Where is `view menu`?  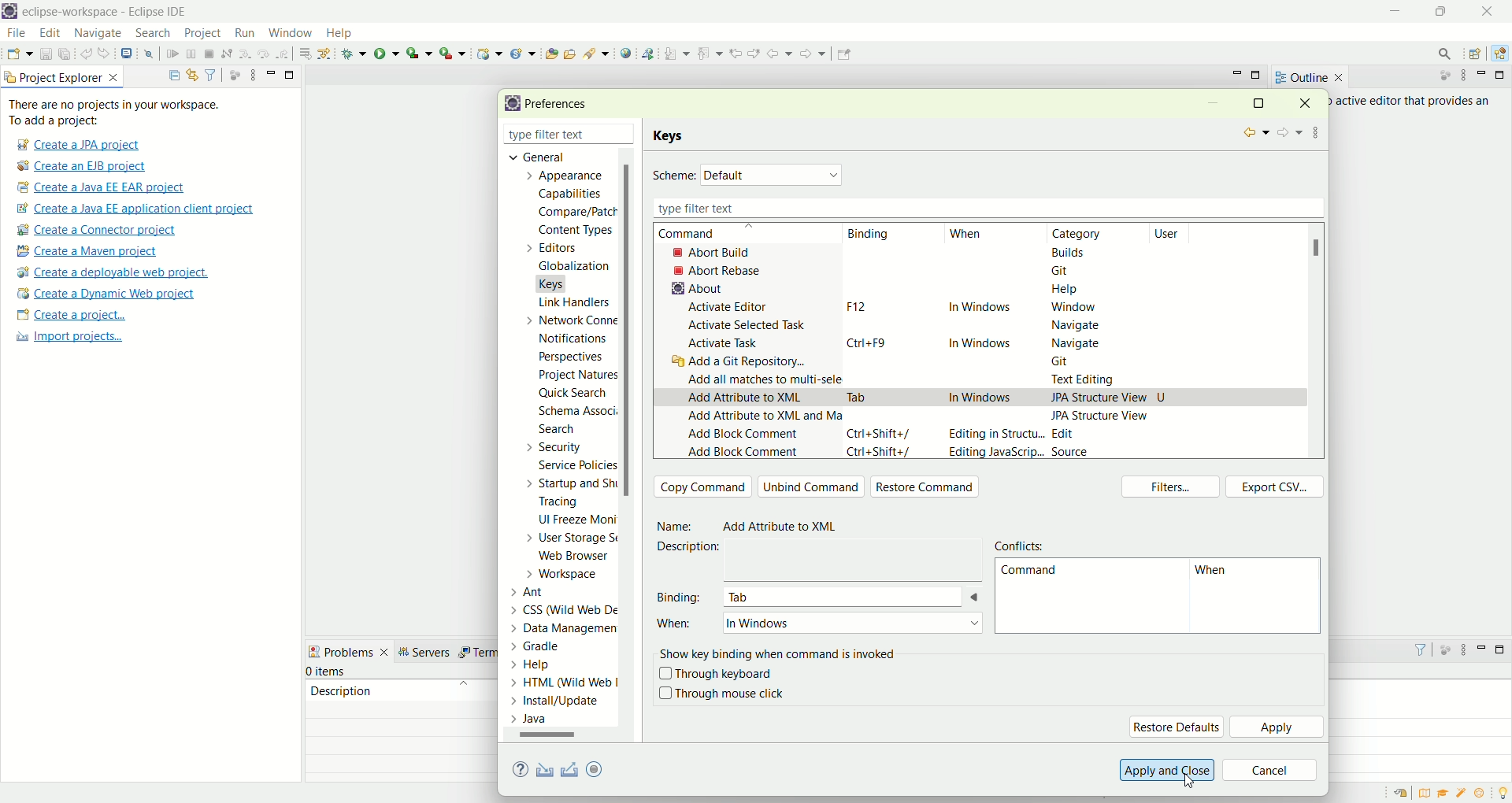
view menu is located at coordinates (1317, 130).